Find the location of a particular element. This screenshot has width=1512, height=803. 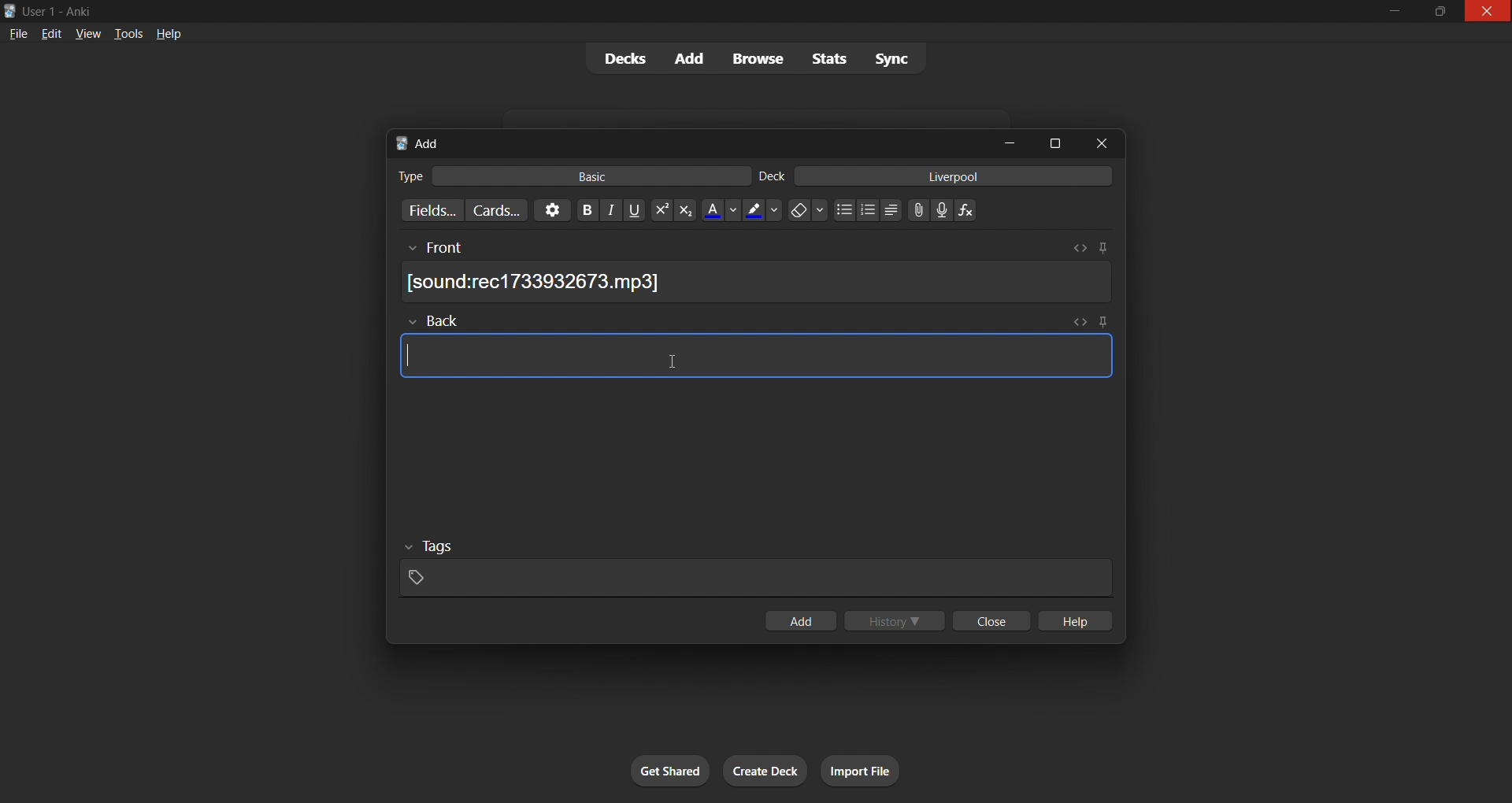

maximize/restore is located at coordinates (1436, 12).